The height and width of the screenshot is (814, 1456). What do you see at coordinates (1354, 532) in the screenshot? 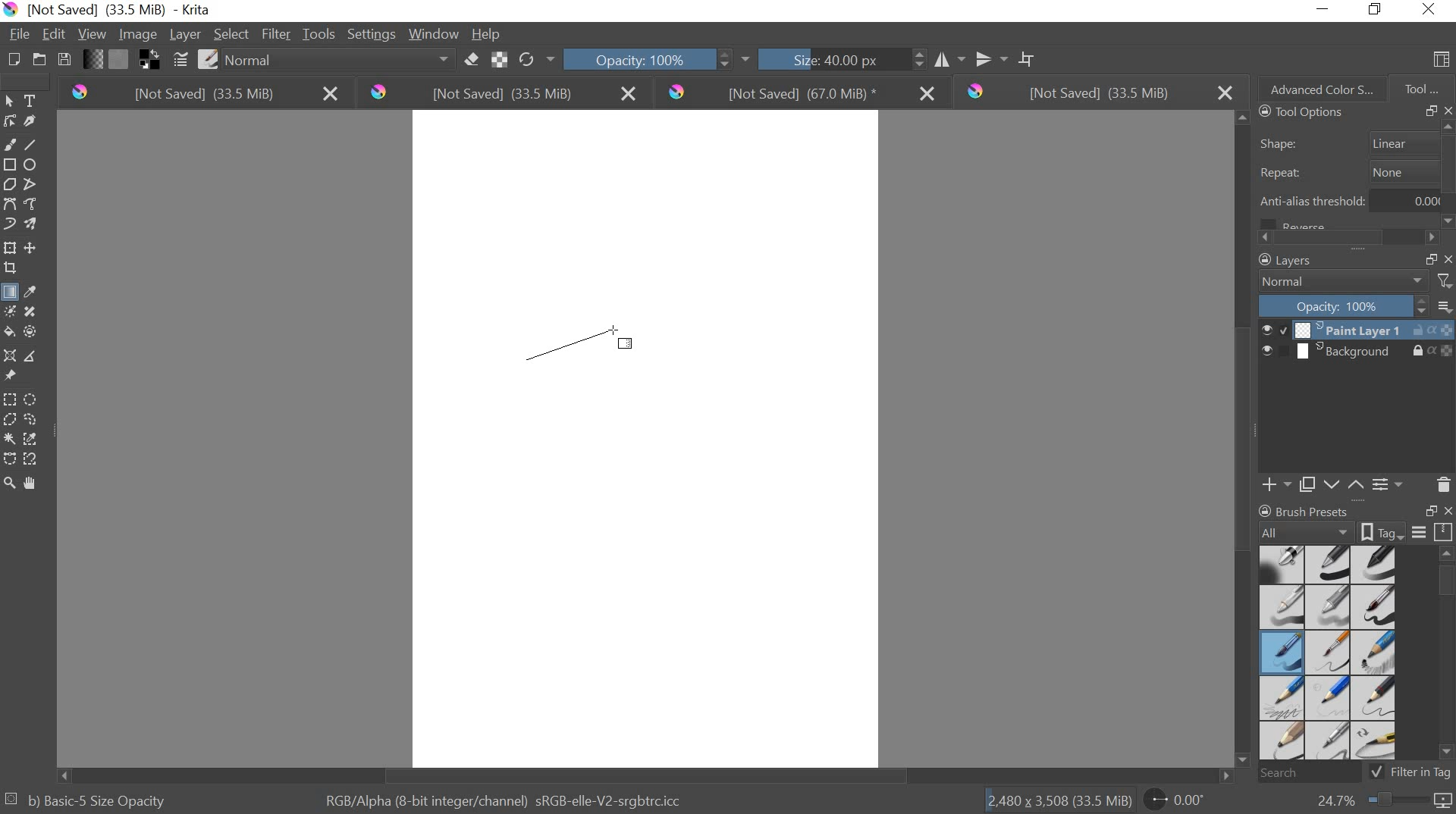
I see `BRUSH PROPERTIES` at bounding box center [1354, 532].